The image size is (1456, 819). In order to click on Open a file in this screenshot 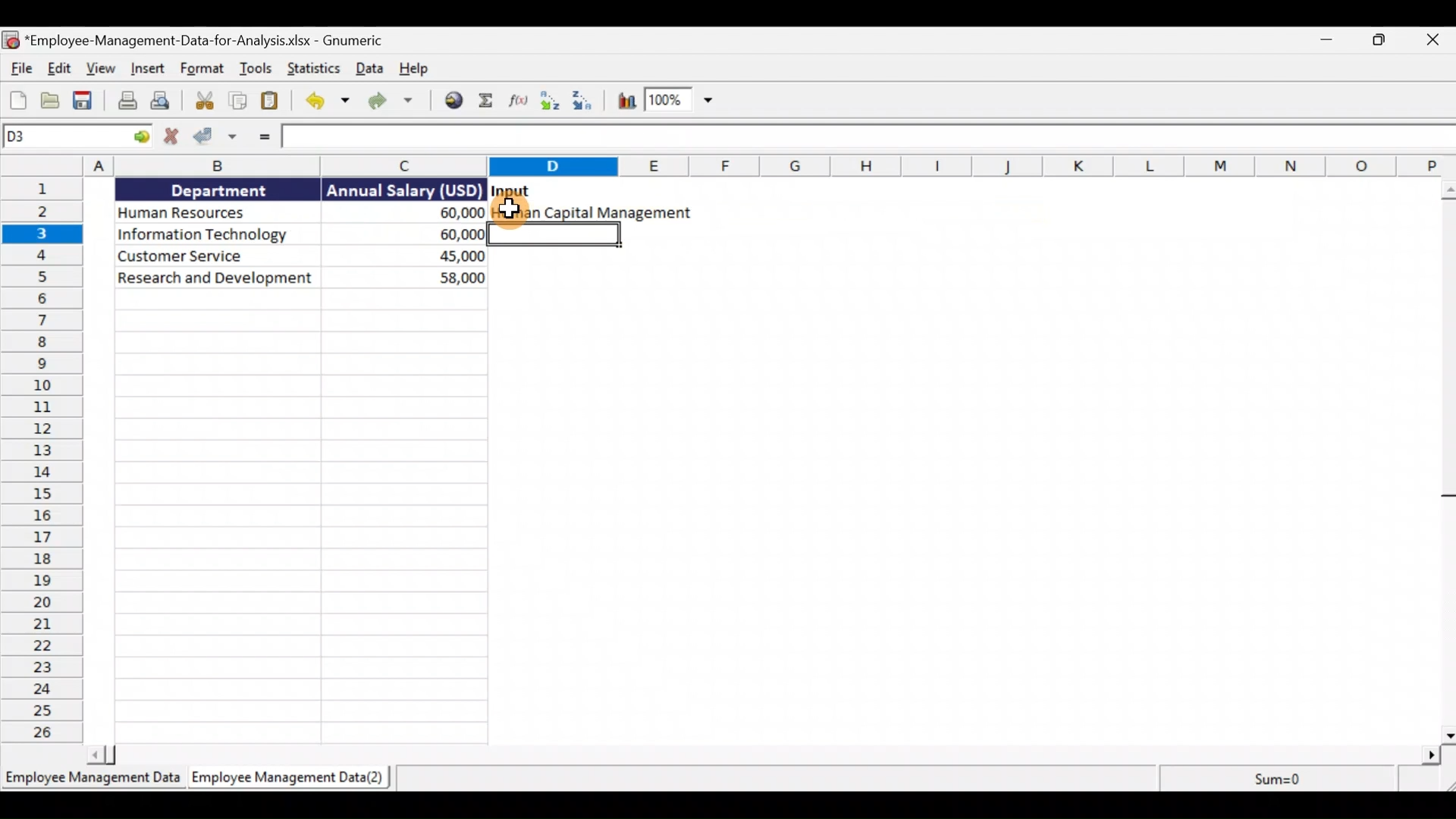, I will do `click(48, 102)`.